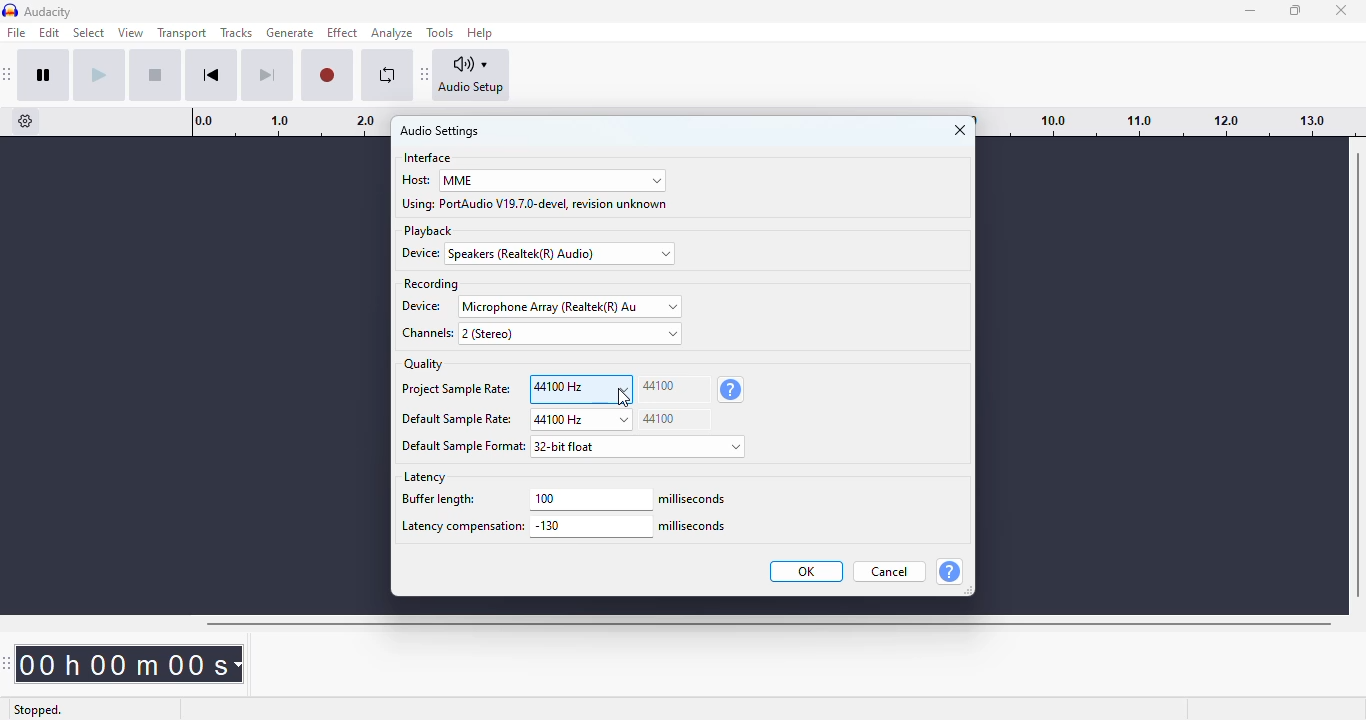 Image resolution: width=1366 pixels, height=720 pixels. Describe the element at coordinates (40, 708) in the screenshot. I see `stopped` at that location.